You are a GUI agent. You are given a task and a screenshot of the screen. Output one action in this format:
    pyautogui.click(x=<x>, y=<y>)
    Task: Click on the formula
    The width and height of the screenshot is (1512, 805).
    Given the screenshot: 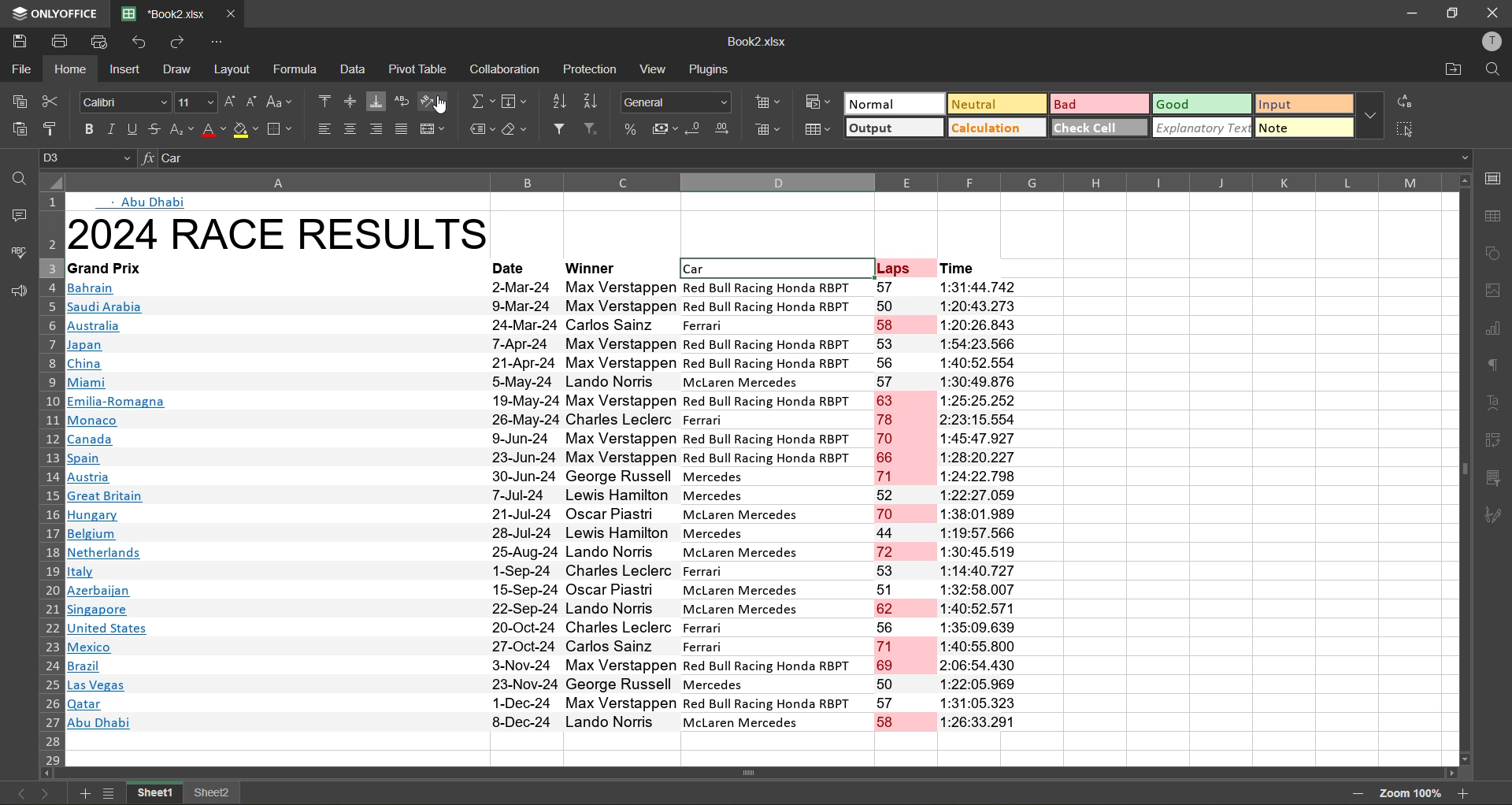 What is the action you would take?
    pyautogui.click(x=296, y=71)
    